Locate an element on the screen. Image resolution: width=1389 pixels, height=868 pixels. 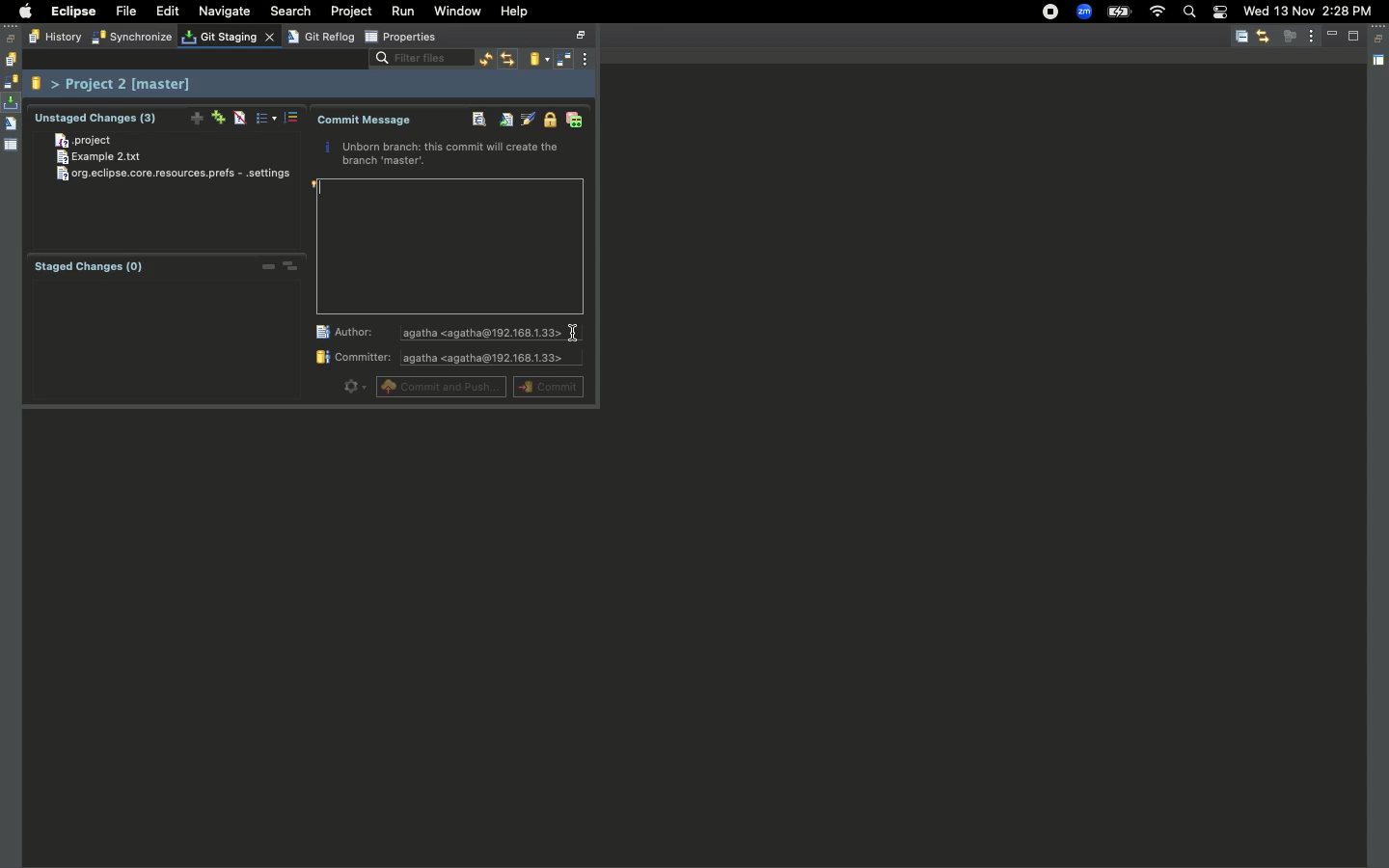
File is located at coordinates (124, 13).